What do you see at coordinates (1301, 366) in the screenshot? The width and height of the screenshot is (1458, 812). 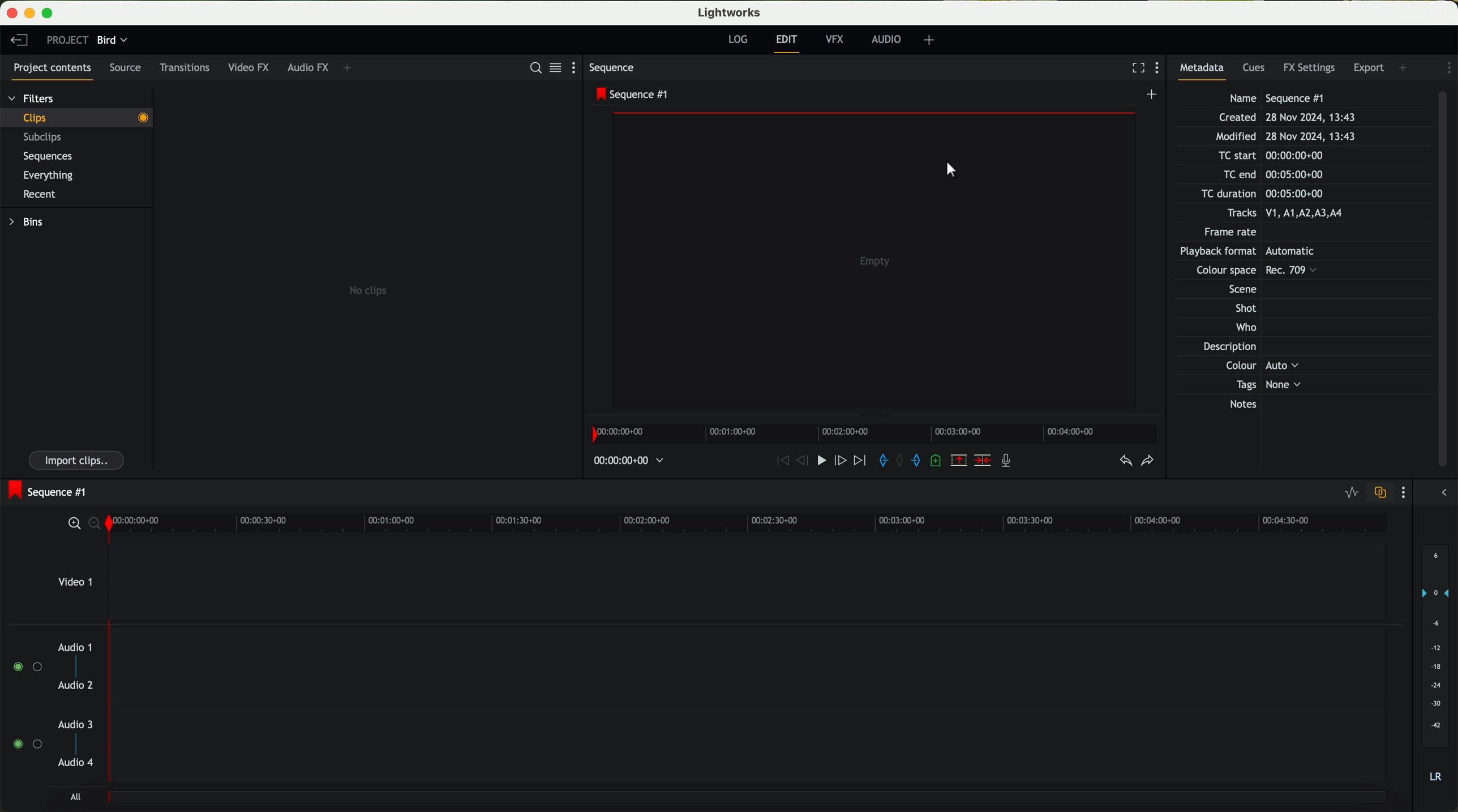 I see `Color` at bounding box center [1301, 366].